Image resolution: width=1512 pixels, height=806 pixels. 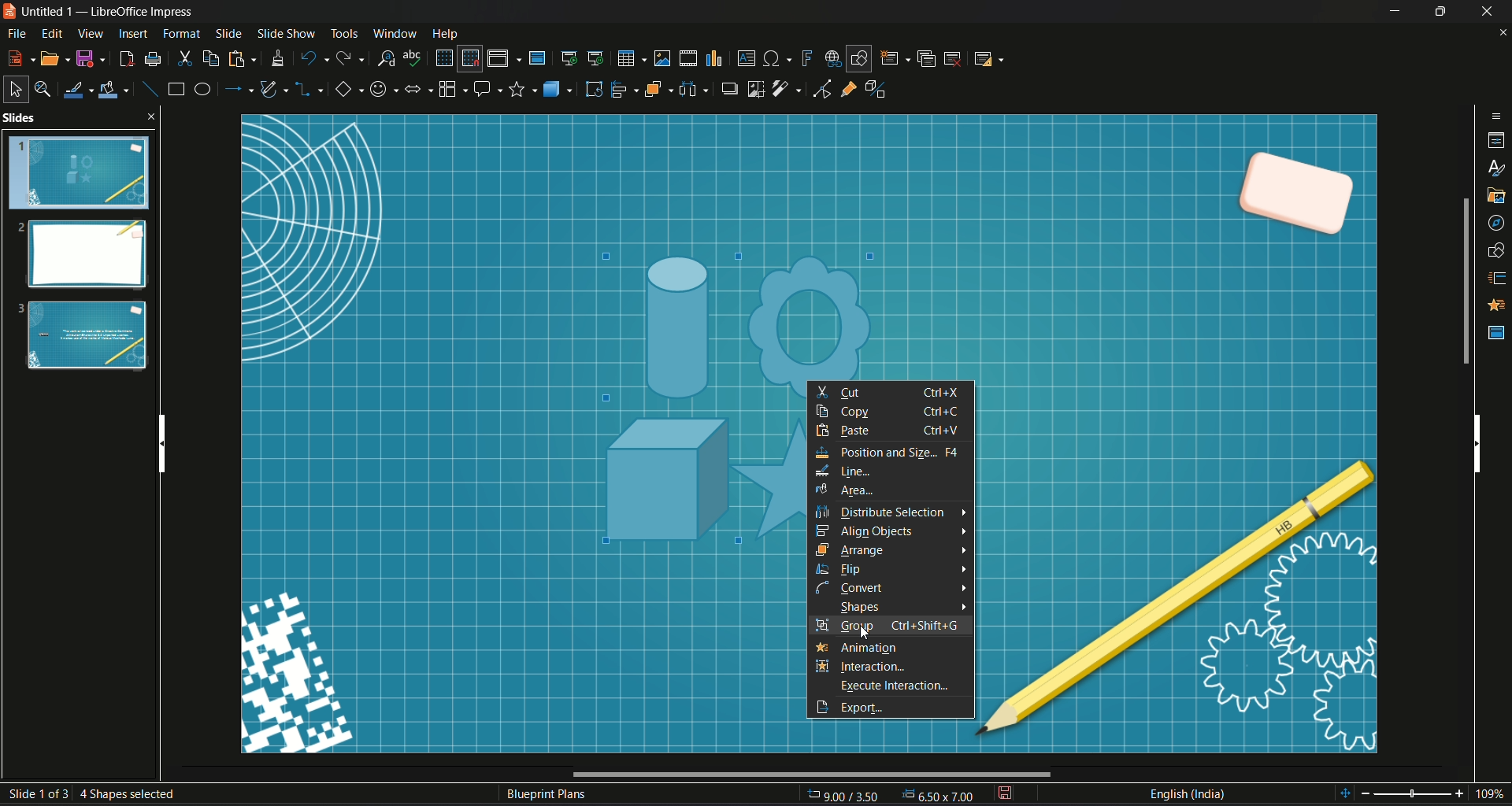 I want to click on arrange, so click(x=854, y=550).